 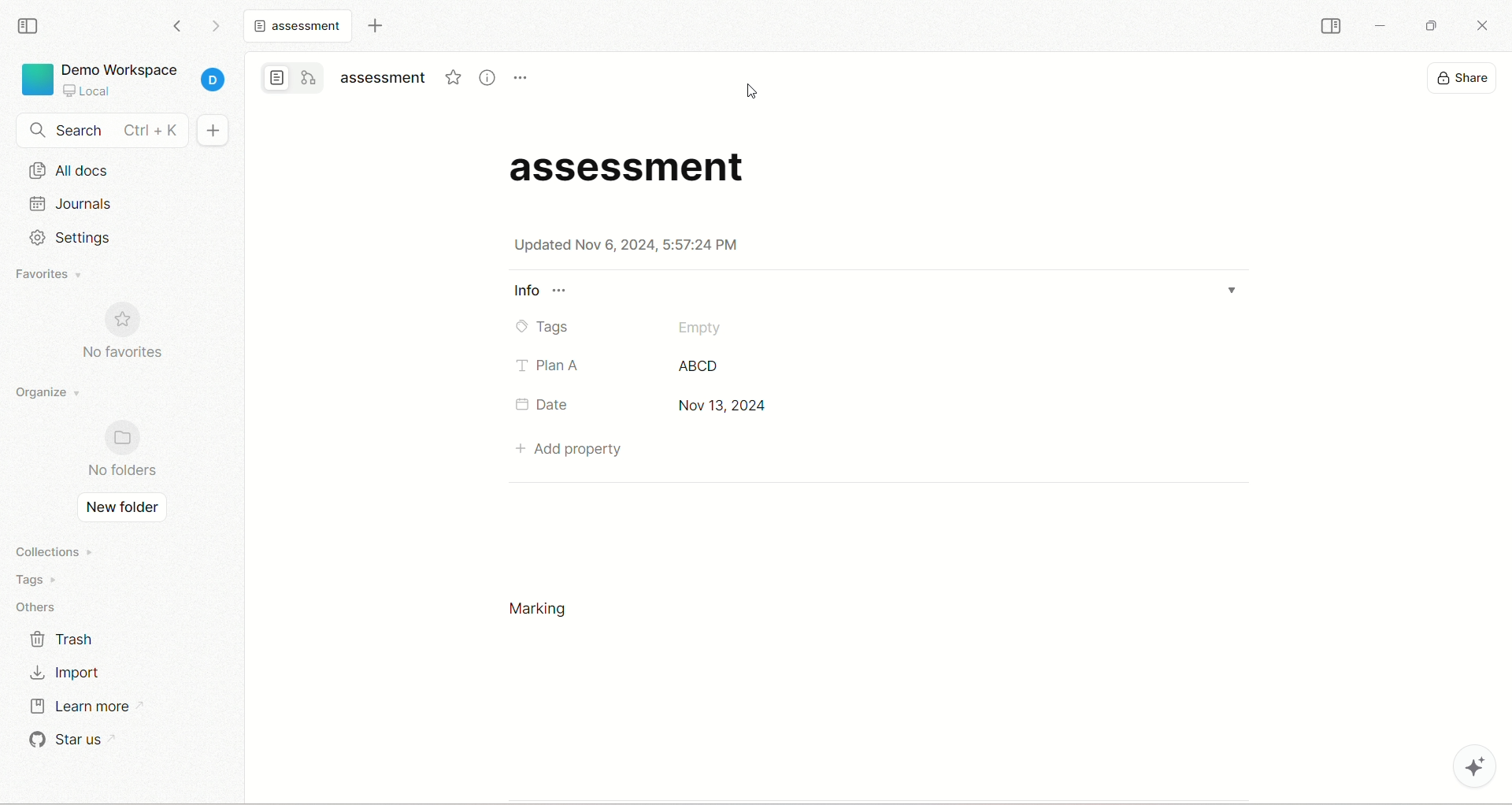 I want to click on star us, so click(x=68, y=741).